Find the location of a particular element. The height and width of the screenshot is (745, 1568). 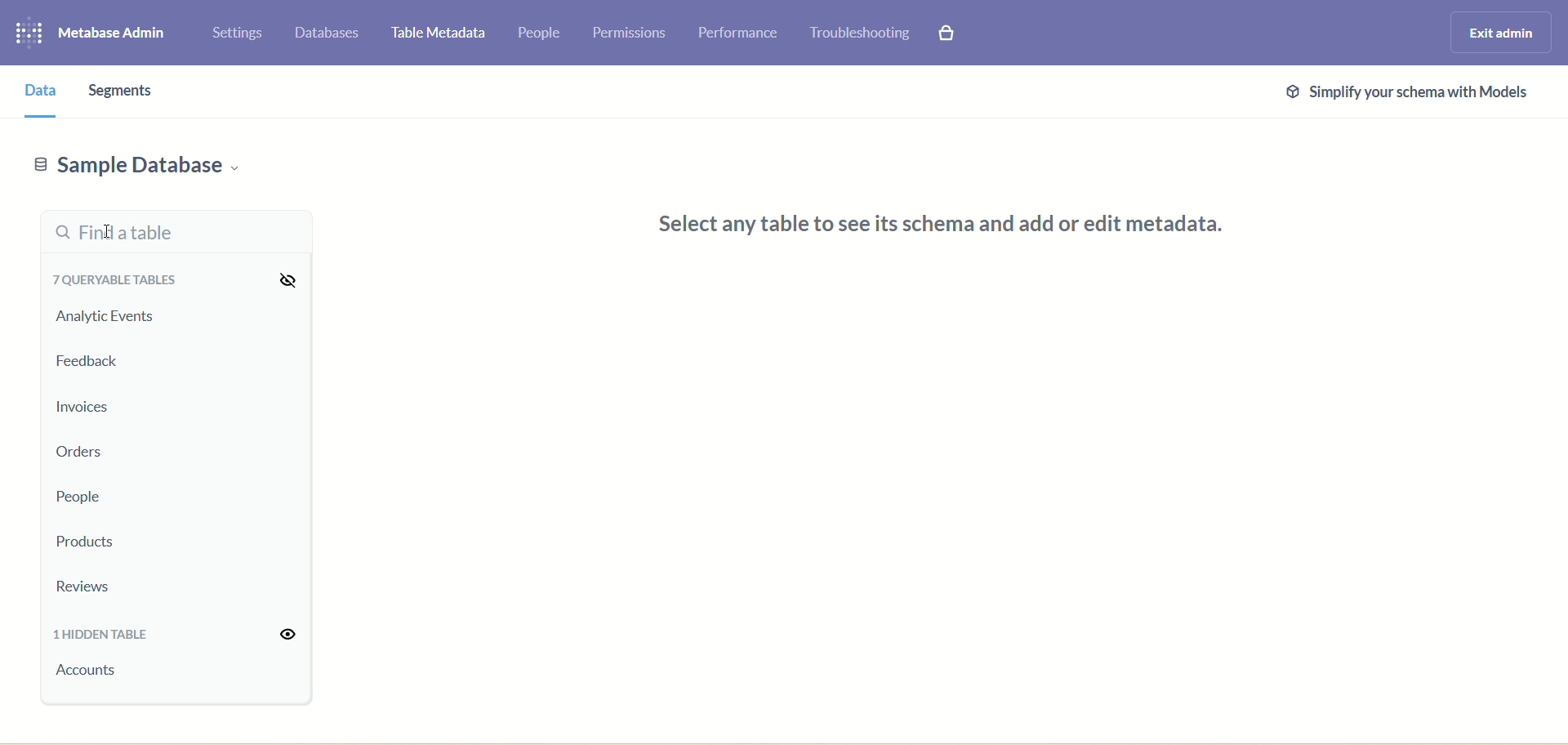

logo is located at coordinates (28, 31).